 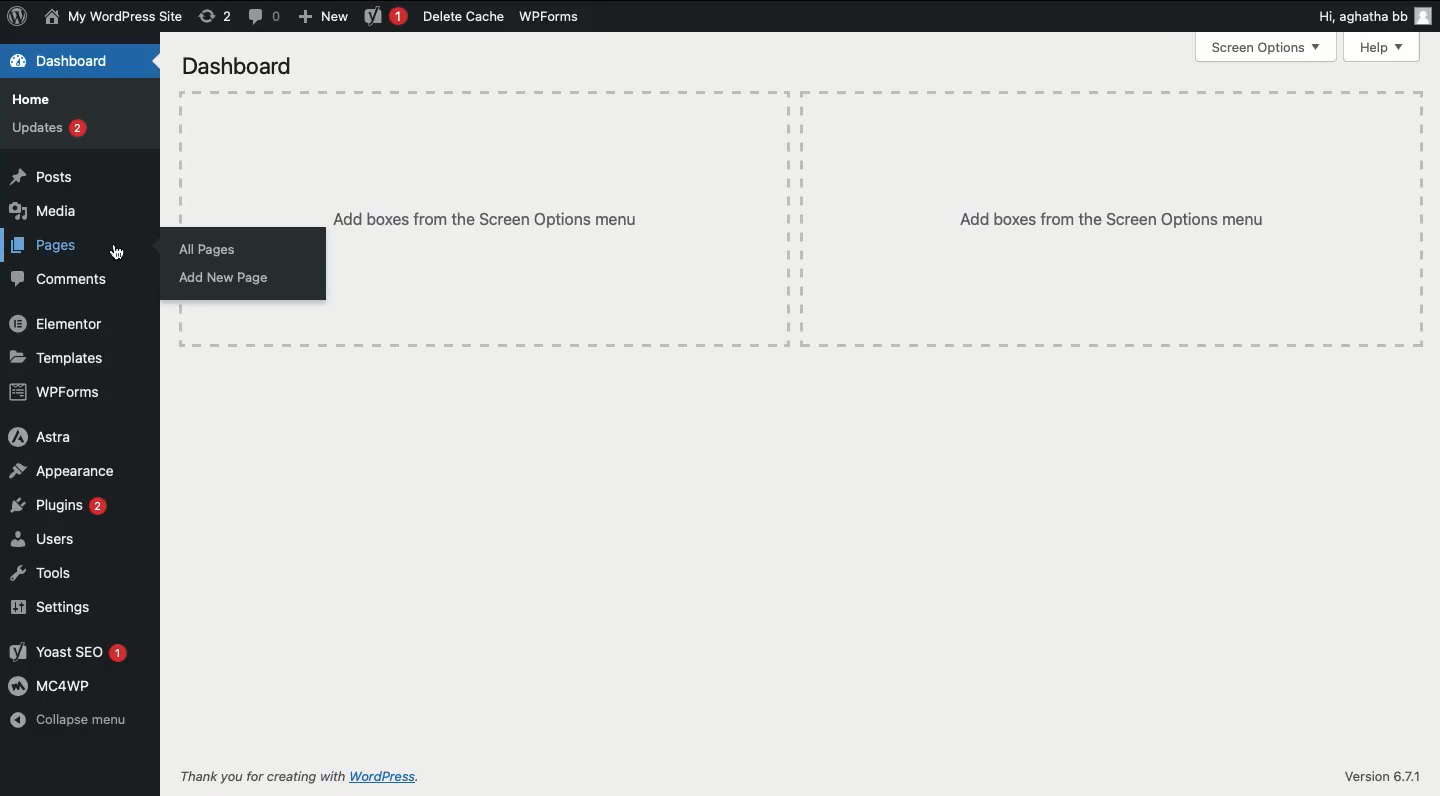 I want to click on Pages, so click(x=44, y=246).